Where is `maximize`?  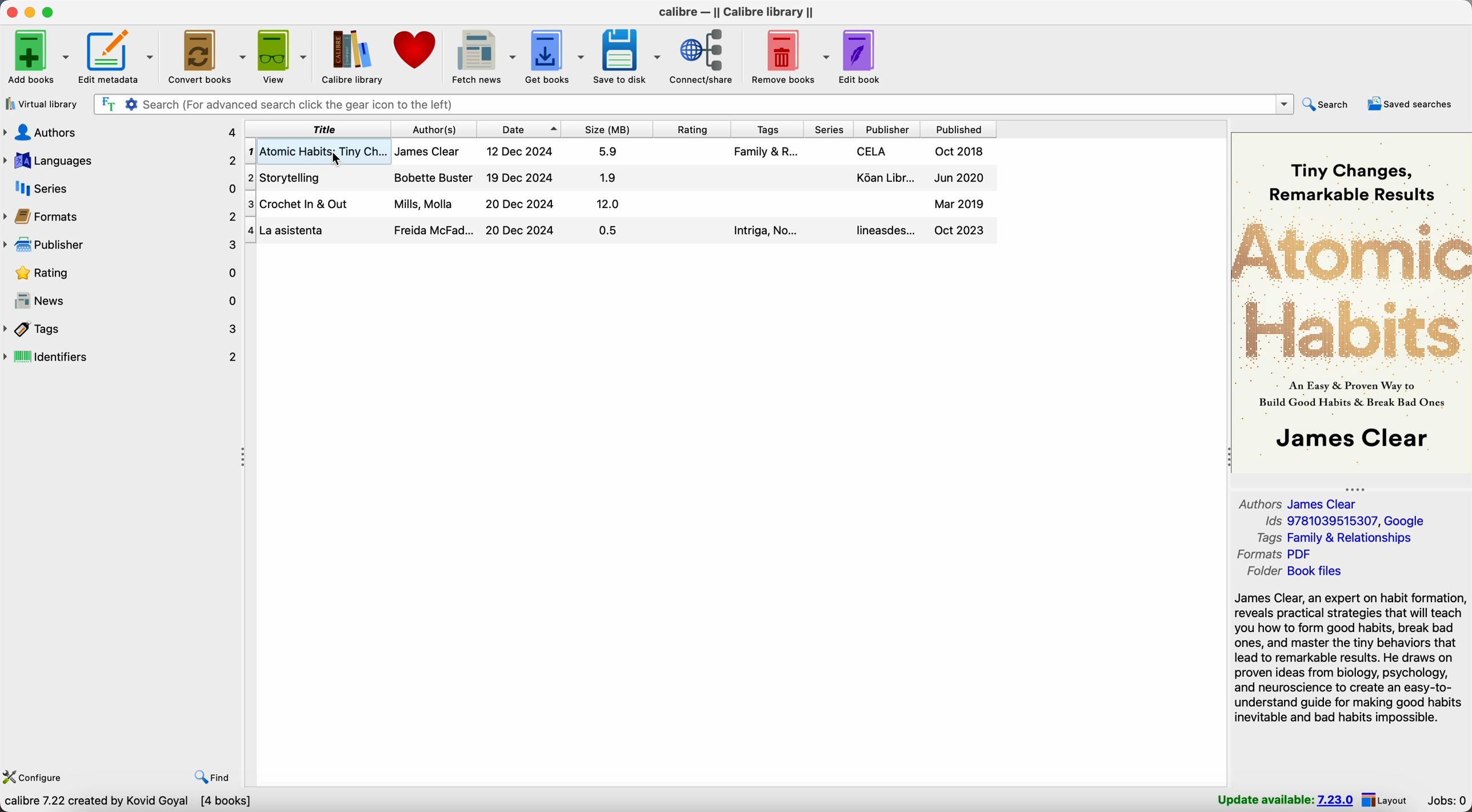
maximize is located at coordinates (50, 11).